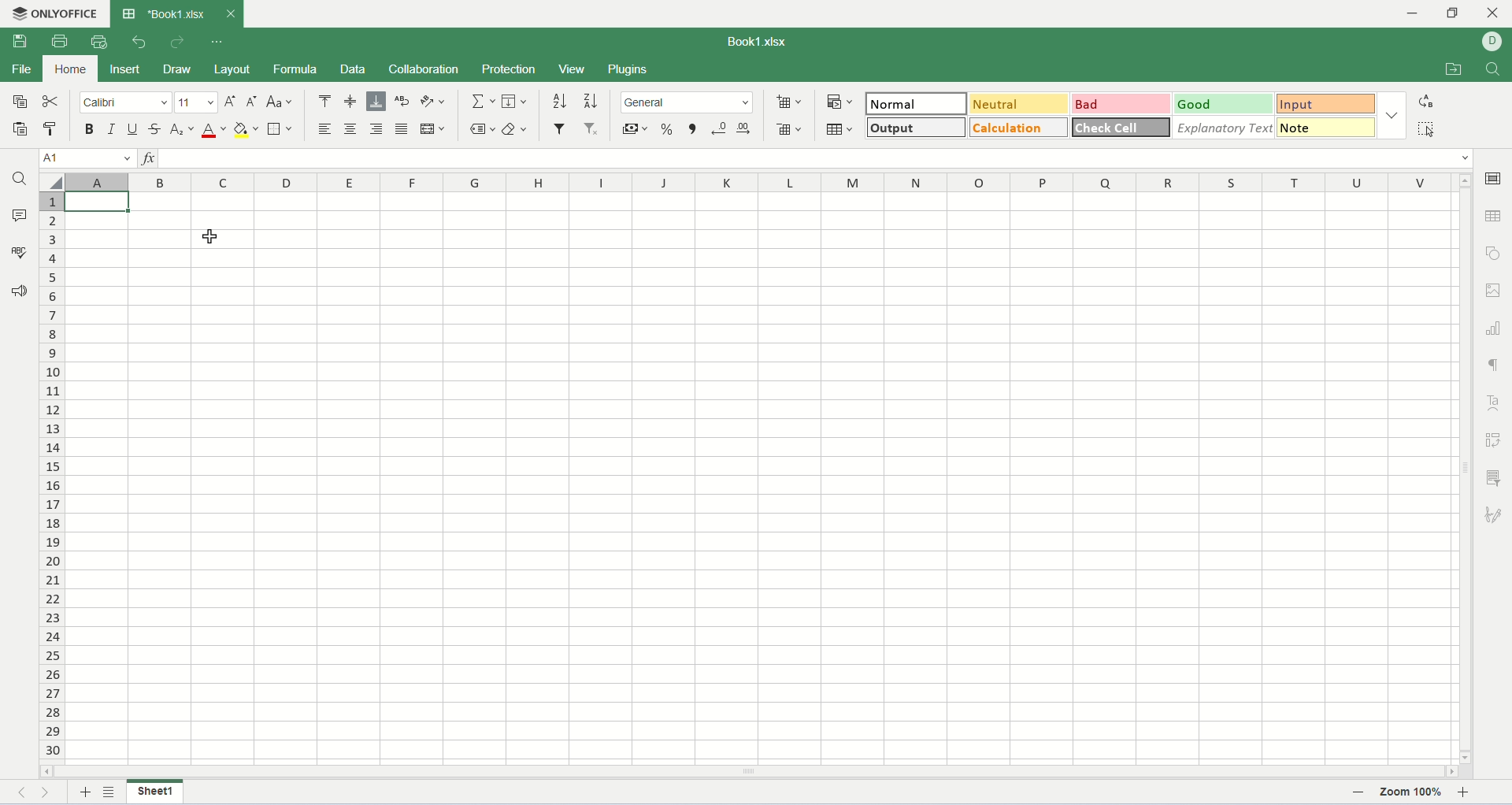 The image size is (1512, 805). Describe the element at coordinates (718, 127) in the screenshot. I see `decrease decimal` at that location.